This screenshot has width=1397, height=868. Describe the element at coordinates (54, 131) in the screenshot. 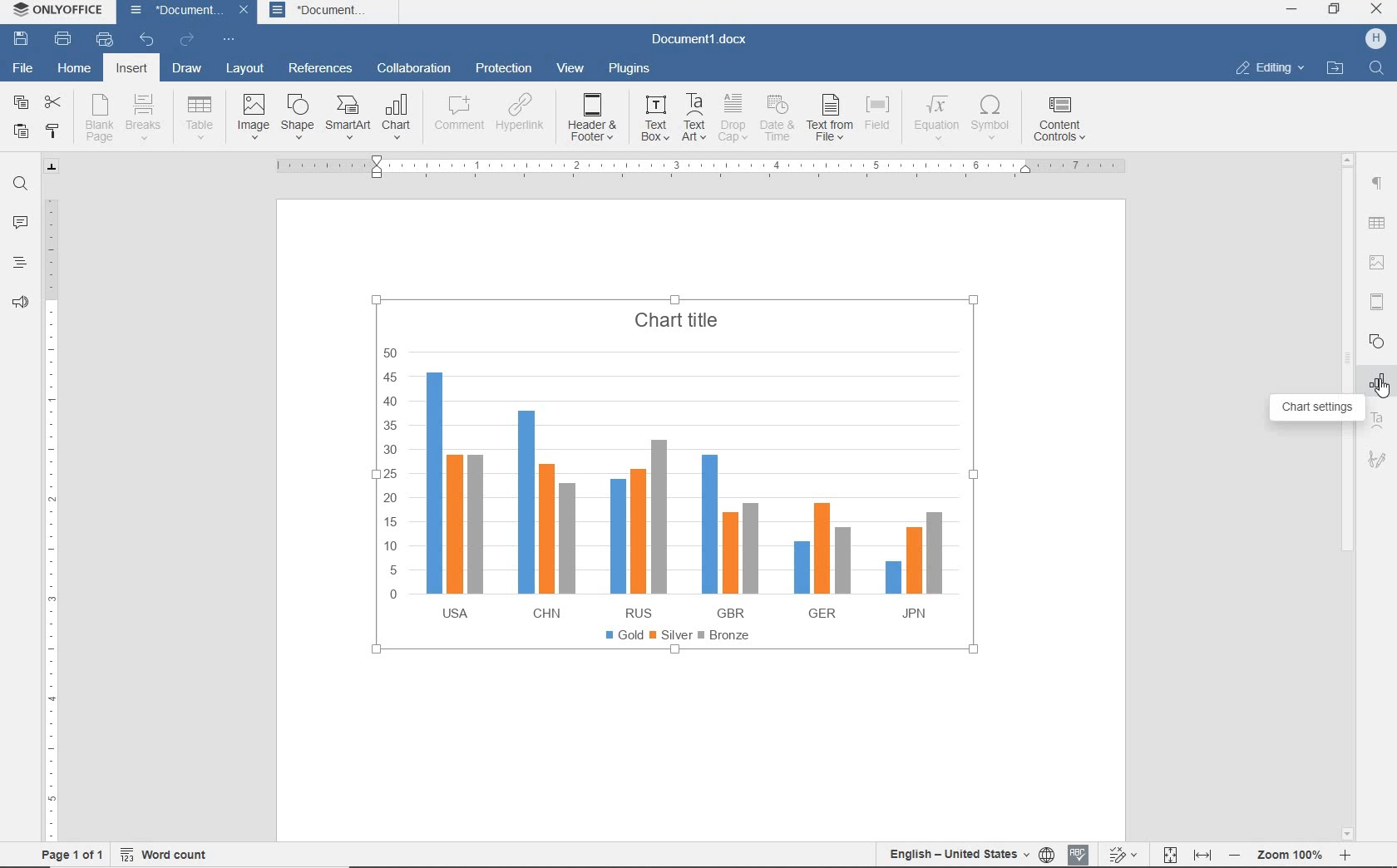

I see `copy style` at that location.